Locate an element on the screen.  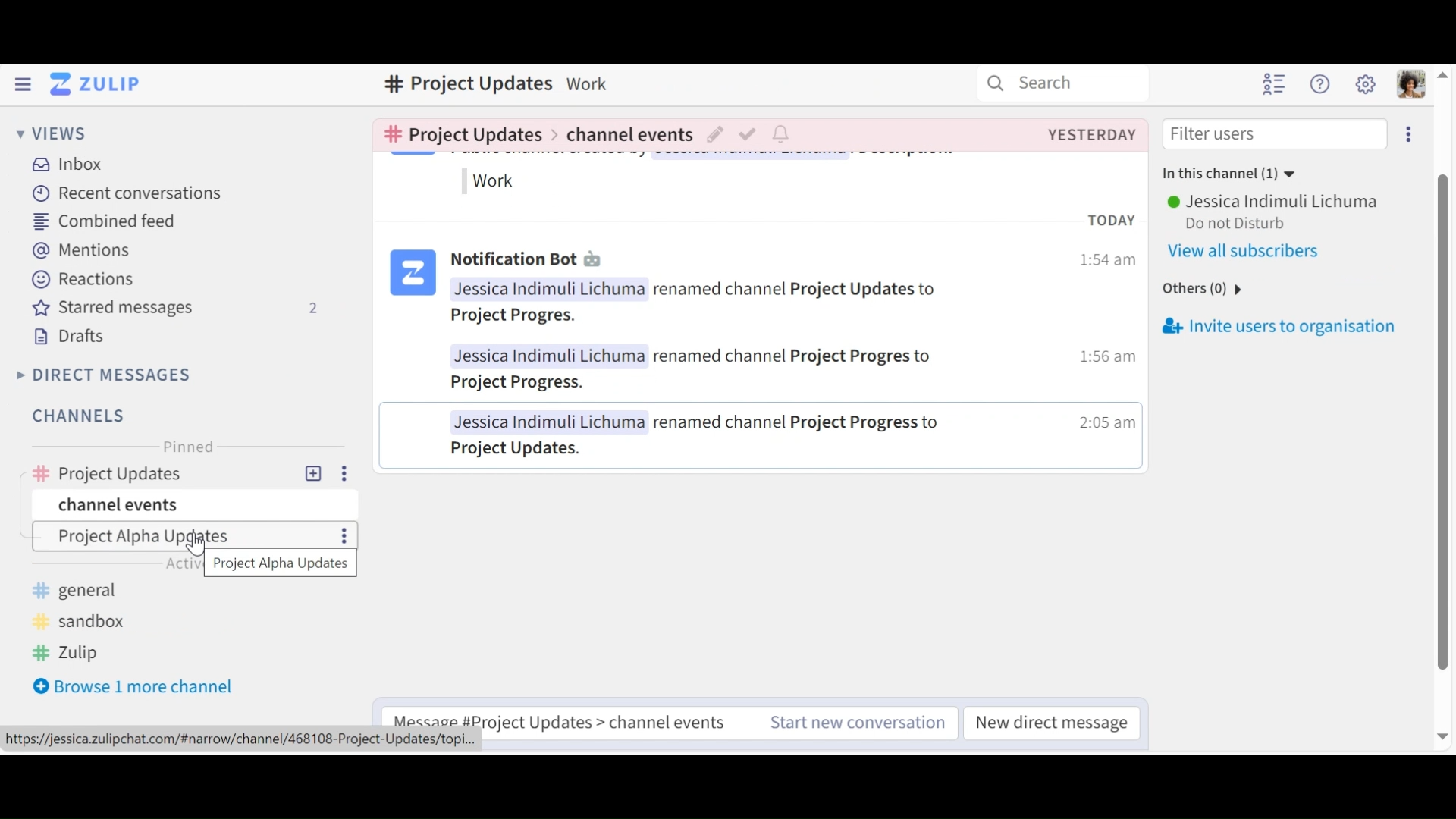
Channel events is located at coordinates (194, 503).